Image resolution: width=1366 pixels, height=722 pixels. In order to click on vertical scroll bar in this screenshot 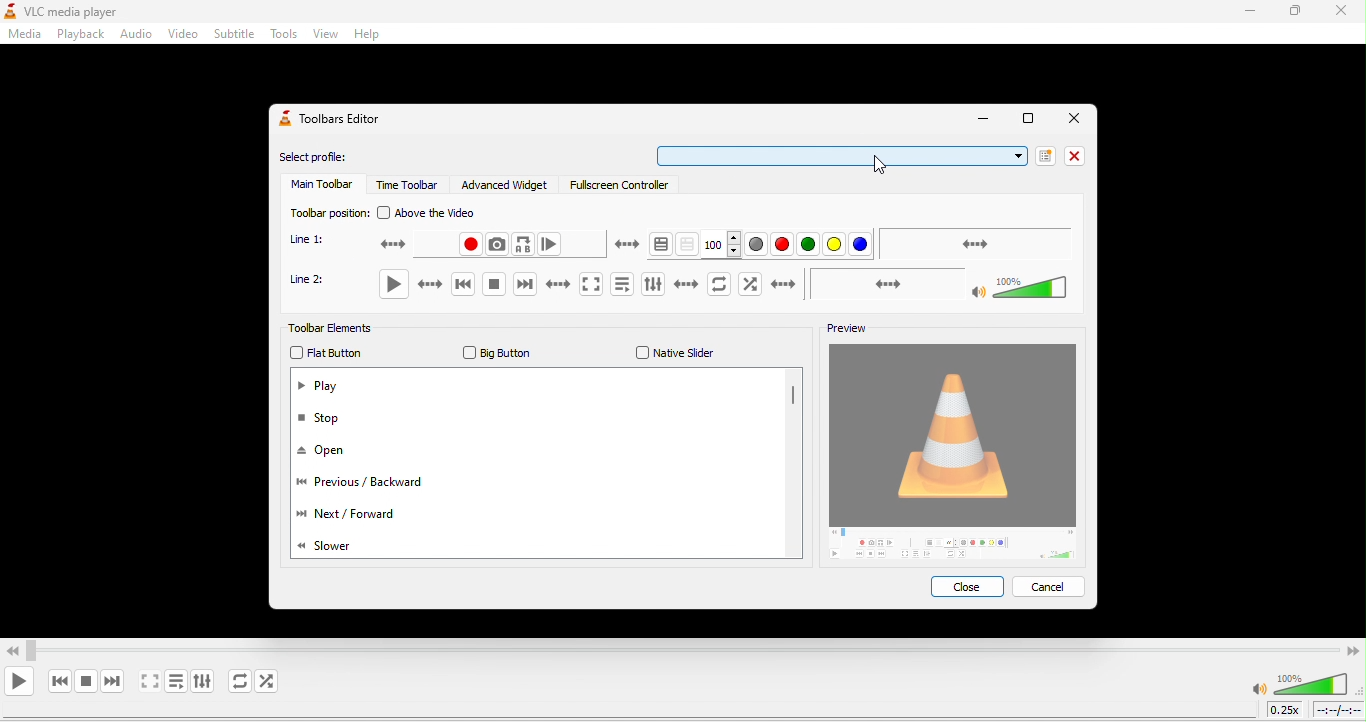, I will do `click(792, 398)`.